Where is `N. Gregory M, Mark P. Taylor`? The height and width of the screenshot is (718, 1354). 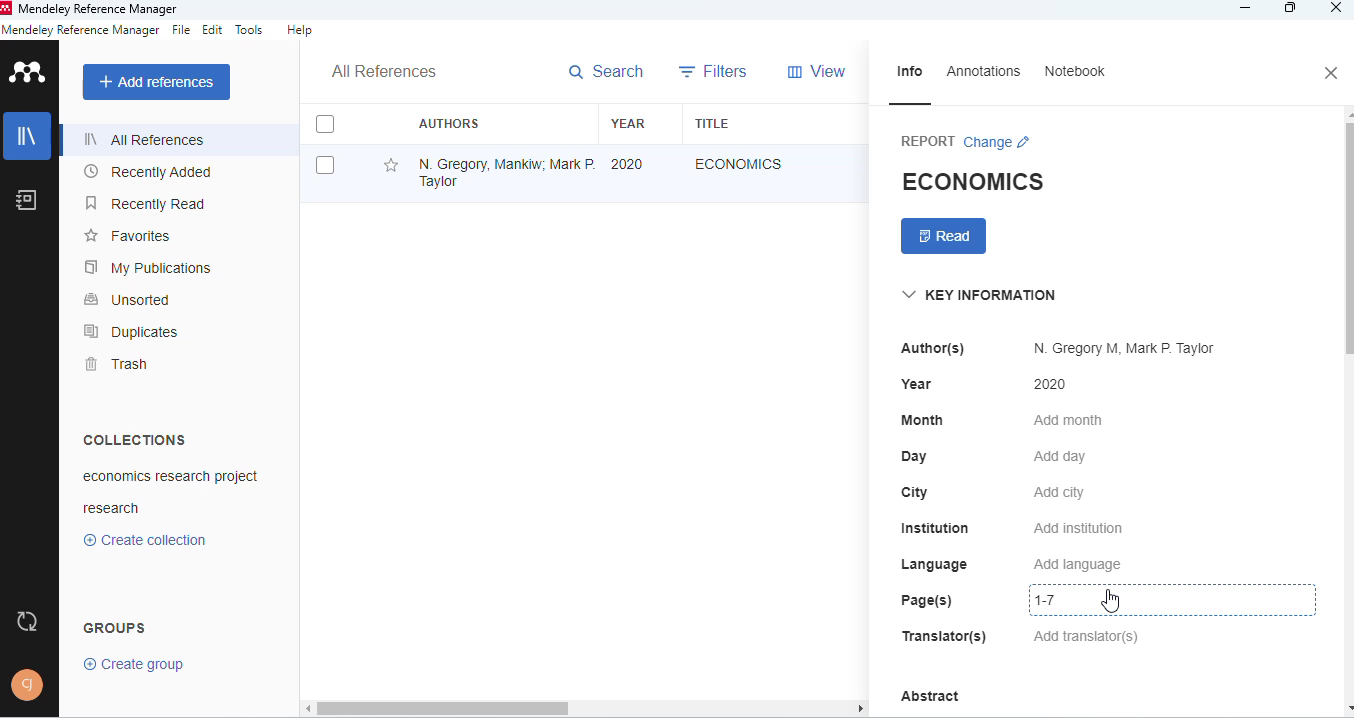
N. Gregory M, Mark P. Taylor is located at coordinates (1126, 348).